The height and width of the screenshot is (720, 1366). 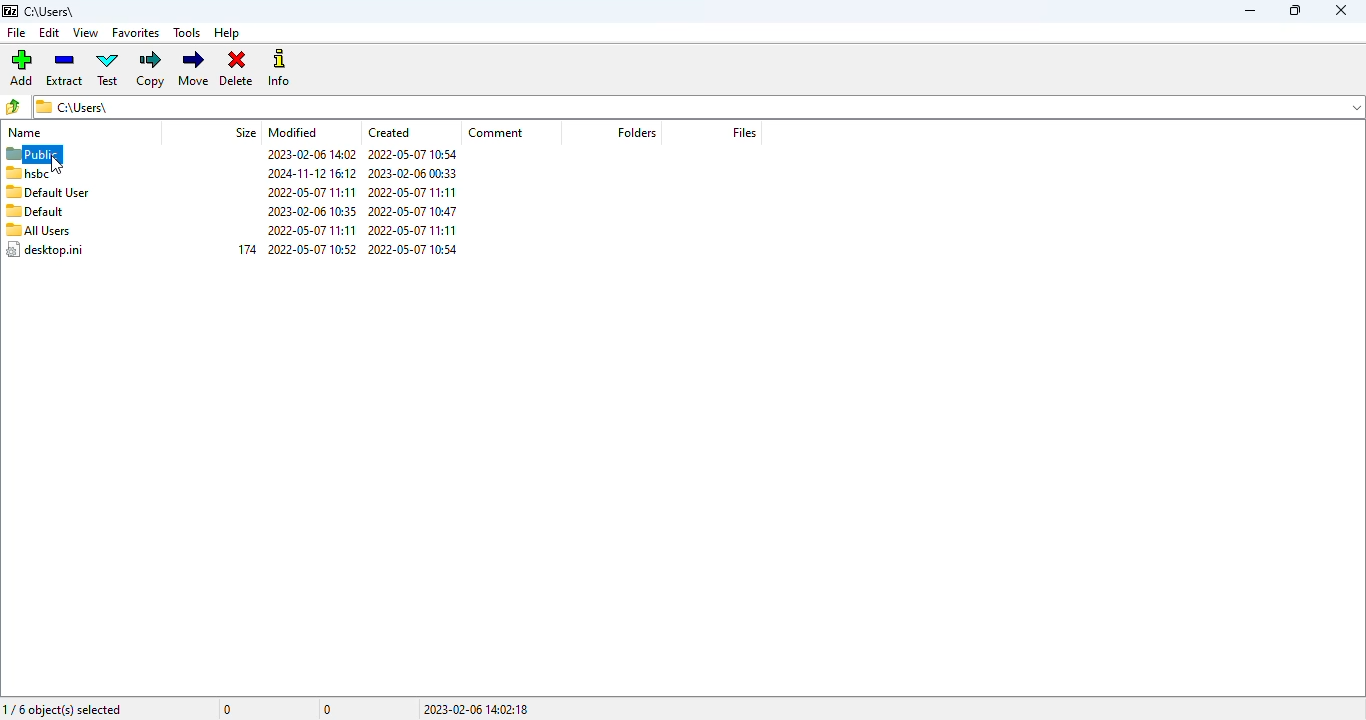 What do you see at coordinates (64, 710) in the screenshot?
I see `1/6 object(s) selected` at bounding box center [64, 710].